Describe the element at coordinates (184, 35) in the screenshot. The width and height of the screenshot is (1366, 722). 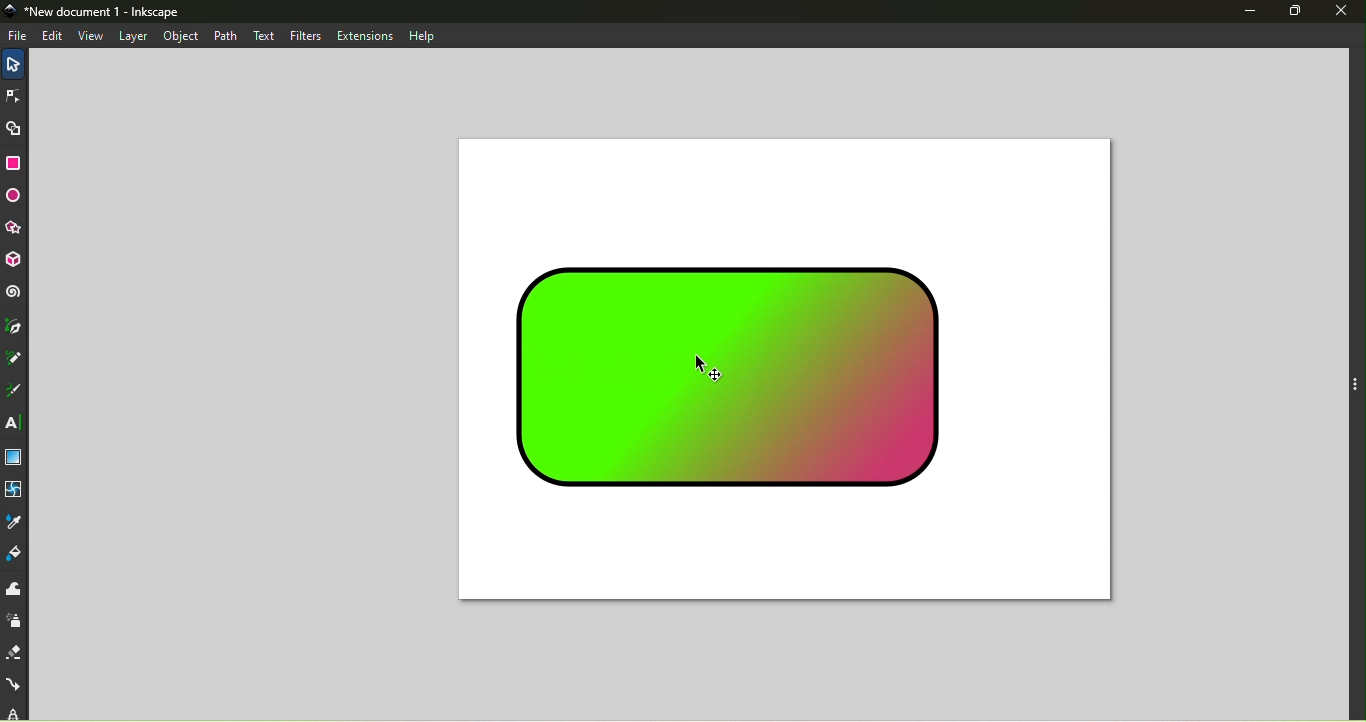
I see `Object` at that location.